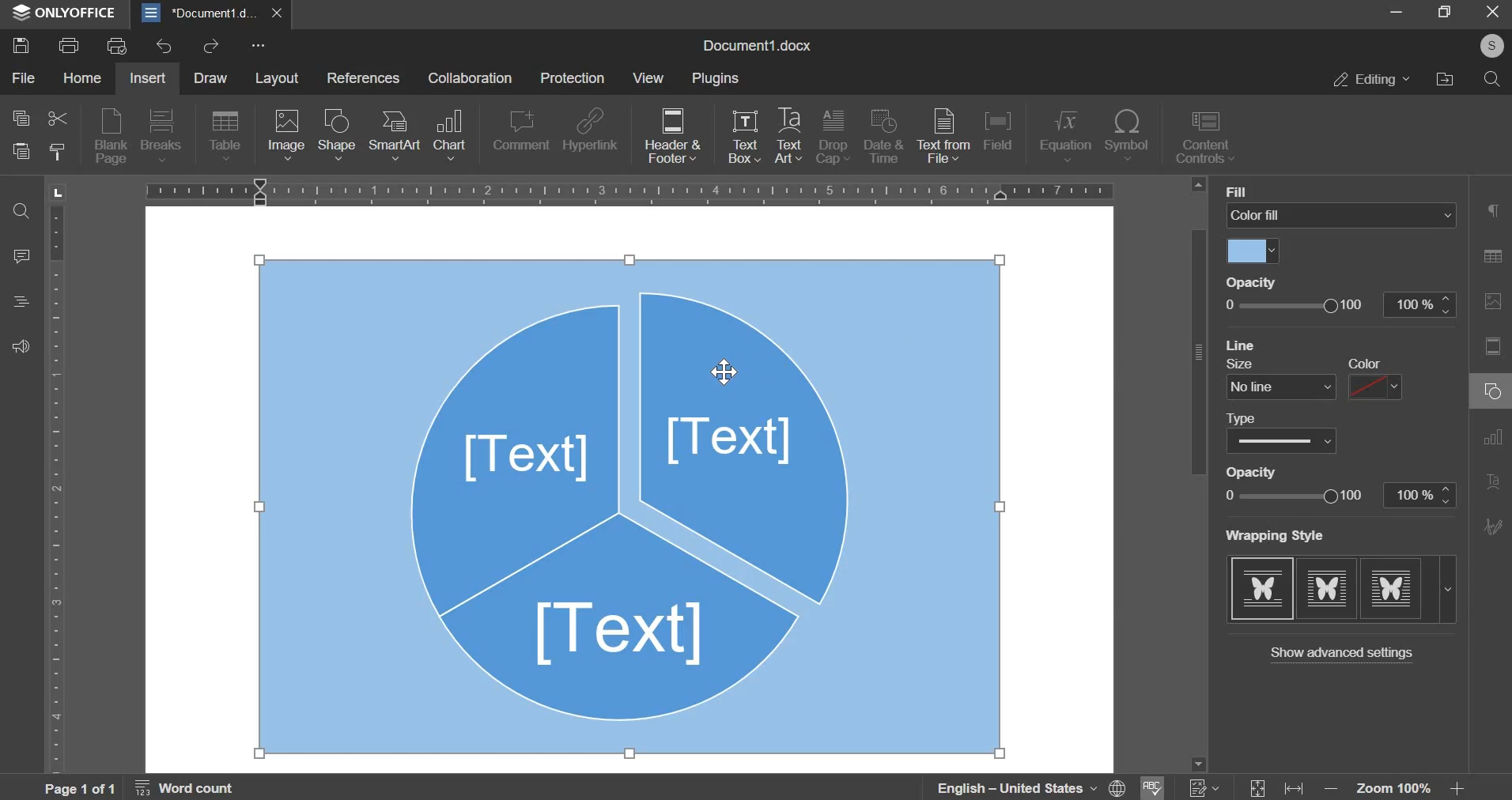 Image resolution: width=1512 pixels, height=800 pixels. What do you see at coordinates (520, 130) in the screenshot?
I see `comment` at bounding box center [520, 130].